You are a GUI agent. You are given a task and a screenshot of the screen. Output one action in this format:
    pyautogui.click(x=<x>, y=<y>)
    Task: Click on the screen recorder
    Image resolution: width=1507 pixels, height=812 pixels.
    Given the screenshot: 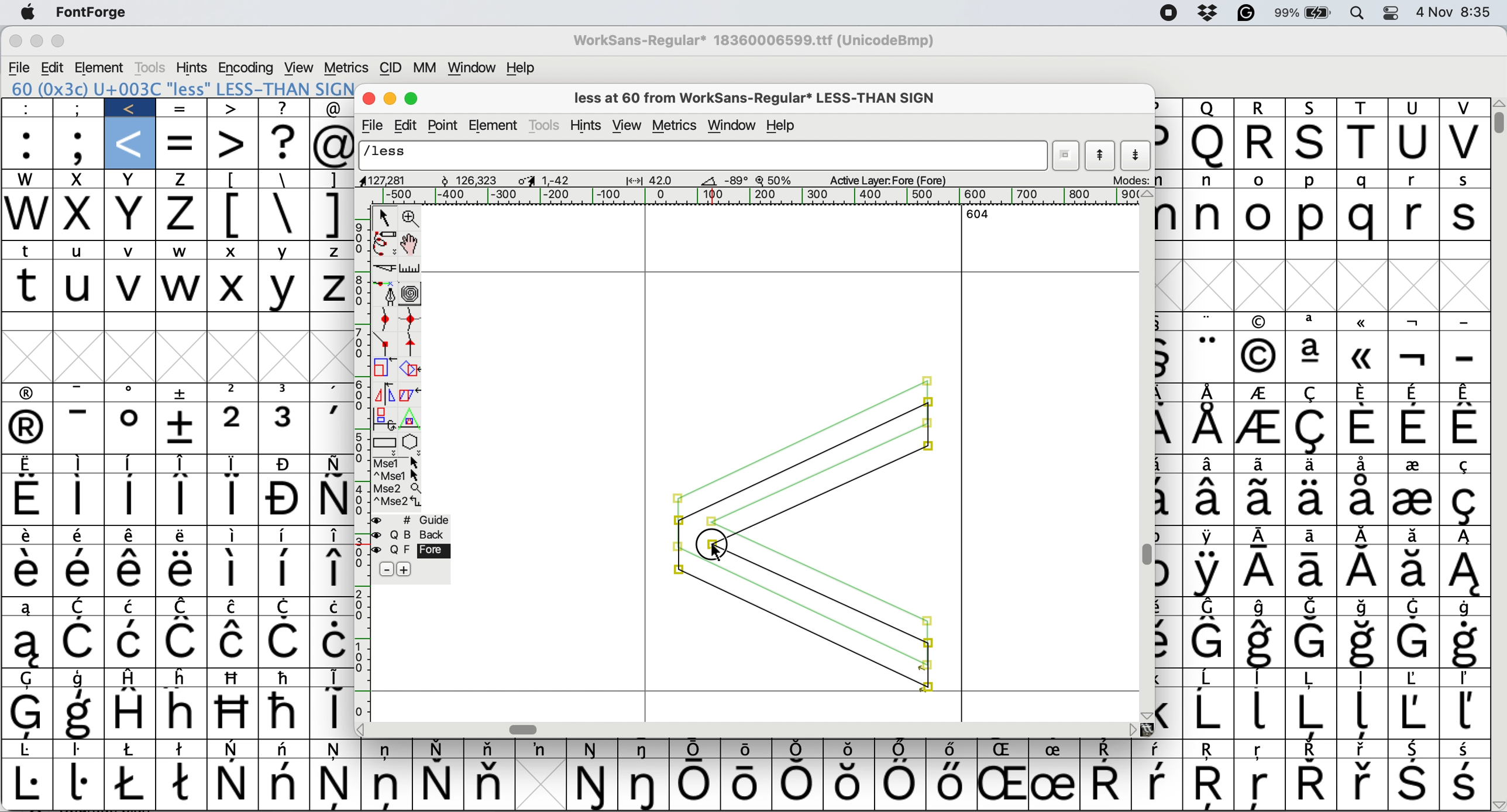 What is the action you would take?
    pyautogui.click(x=1168, y=15)
    